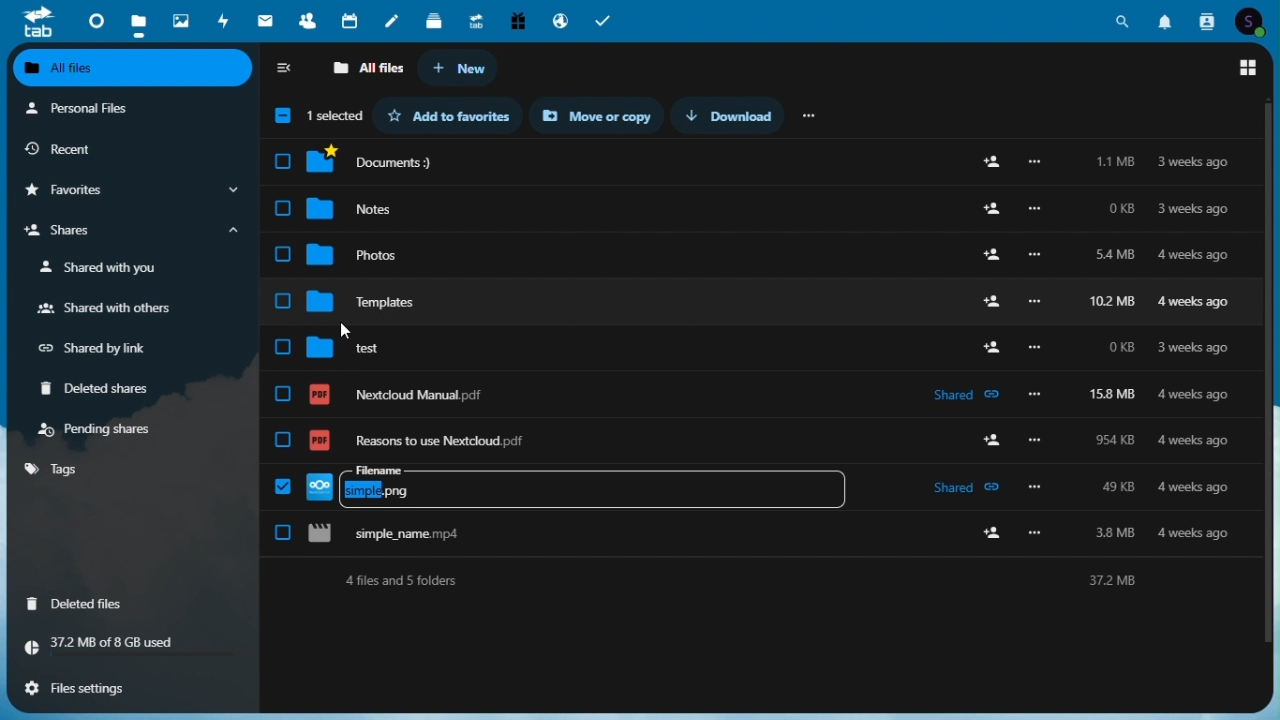 The height and width of the screenshot is (720, 1280). What do you see at coordinates (762, 580) in the screenshot?
I see `4 files and 5 folders` at bounding box center [762, 580].